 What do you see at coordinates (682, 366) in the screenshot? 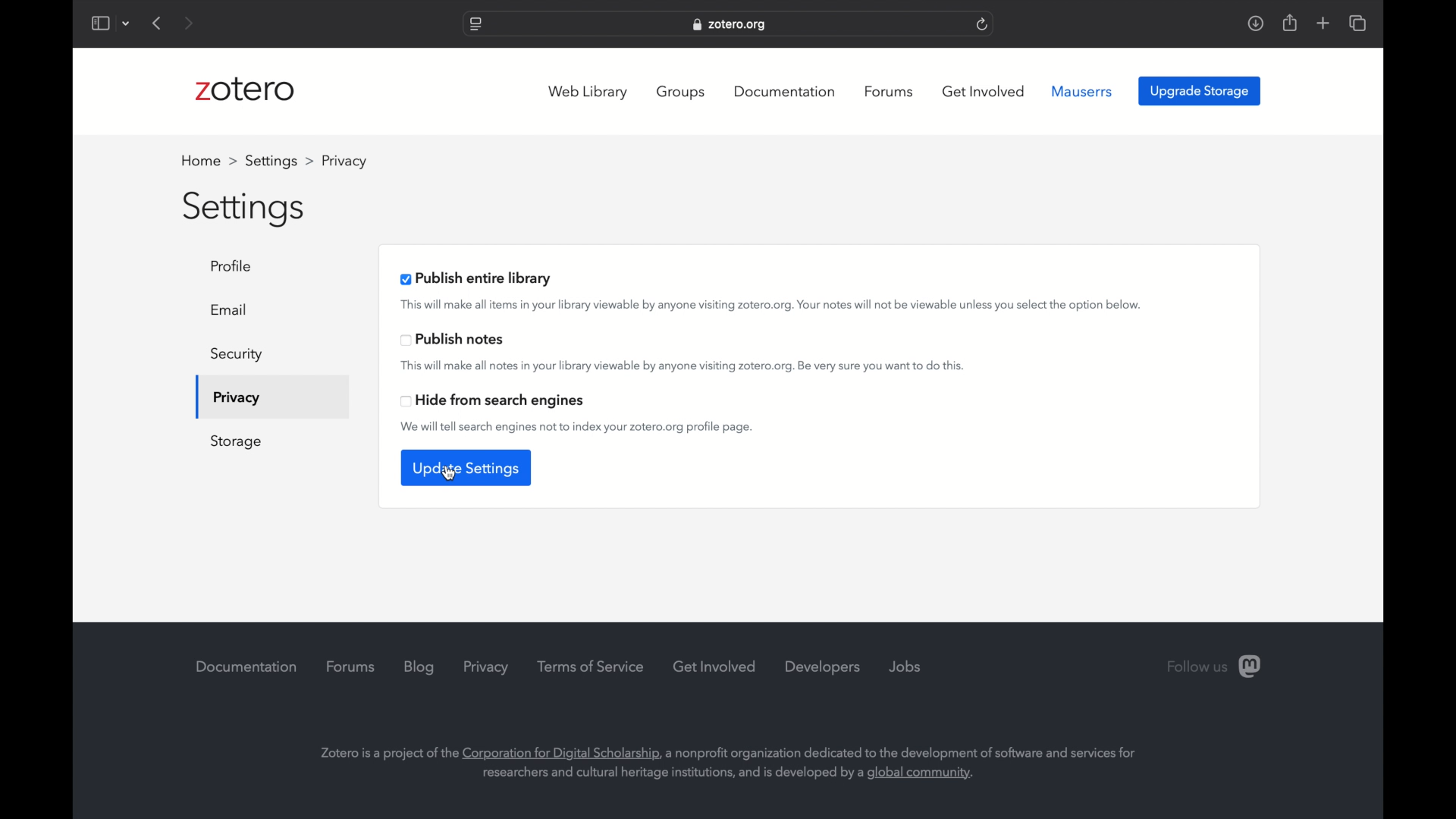
I see `this will make all notes in your library viewable by anyone visiting zotero.org. be very sure to do this` at bounding box center [682, 366].